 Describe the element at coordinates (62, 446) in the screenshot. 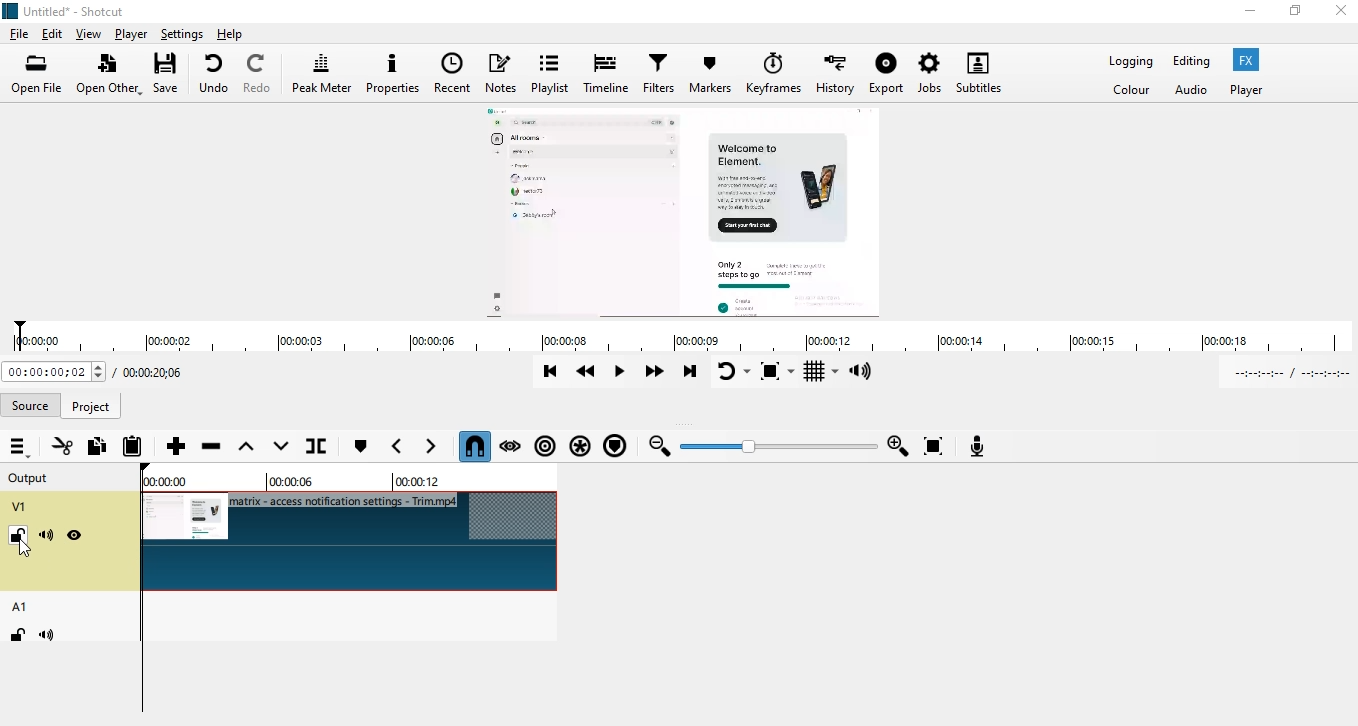

I see `cut` at that location.